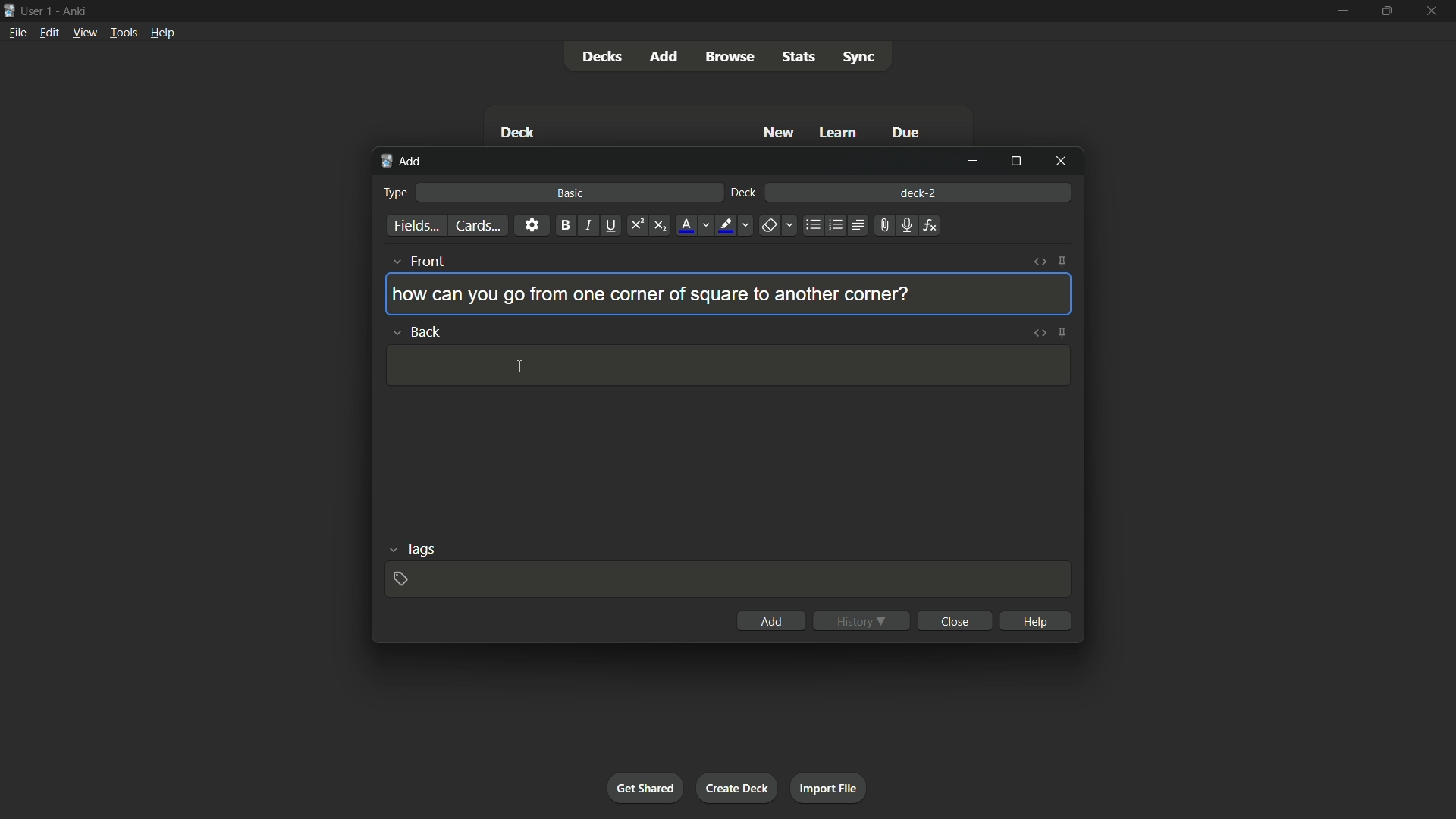 The image size is (1456, 819). What do you see at coordinates (954, 621) in the screenshot?
I see `close` at bounding box center [954, 621].